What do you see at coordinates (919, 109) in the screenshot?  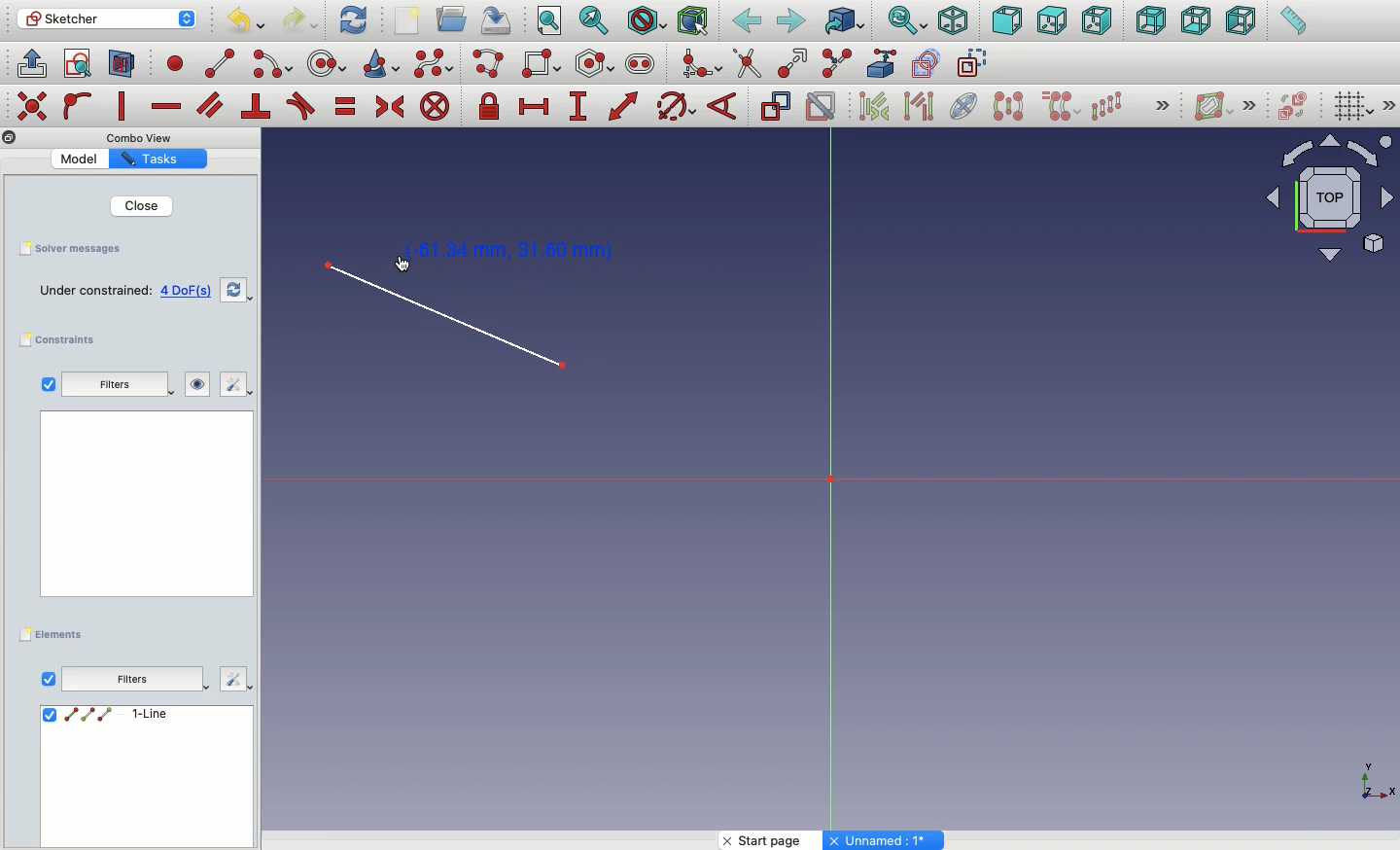 I see `Associated geometry` at bounding box center [919, 109].